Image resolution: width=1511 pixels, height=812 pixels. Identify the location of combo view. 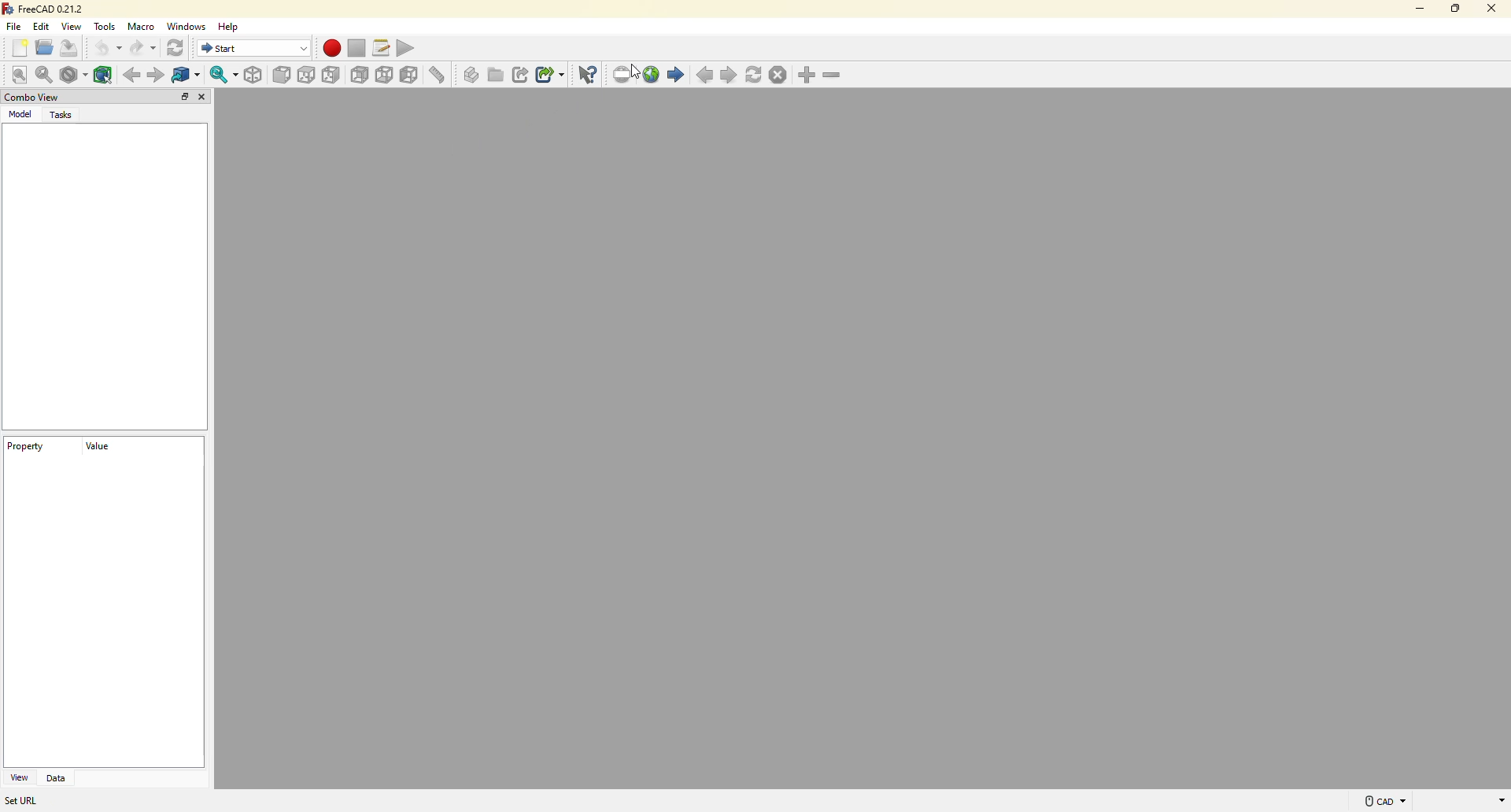
(31, 98).